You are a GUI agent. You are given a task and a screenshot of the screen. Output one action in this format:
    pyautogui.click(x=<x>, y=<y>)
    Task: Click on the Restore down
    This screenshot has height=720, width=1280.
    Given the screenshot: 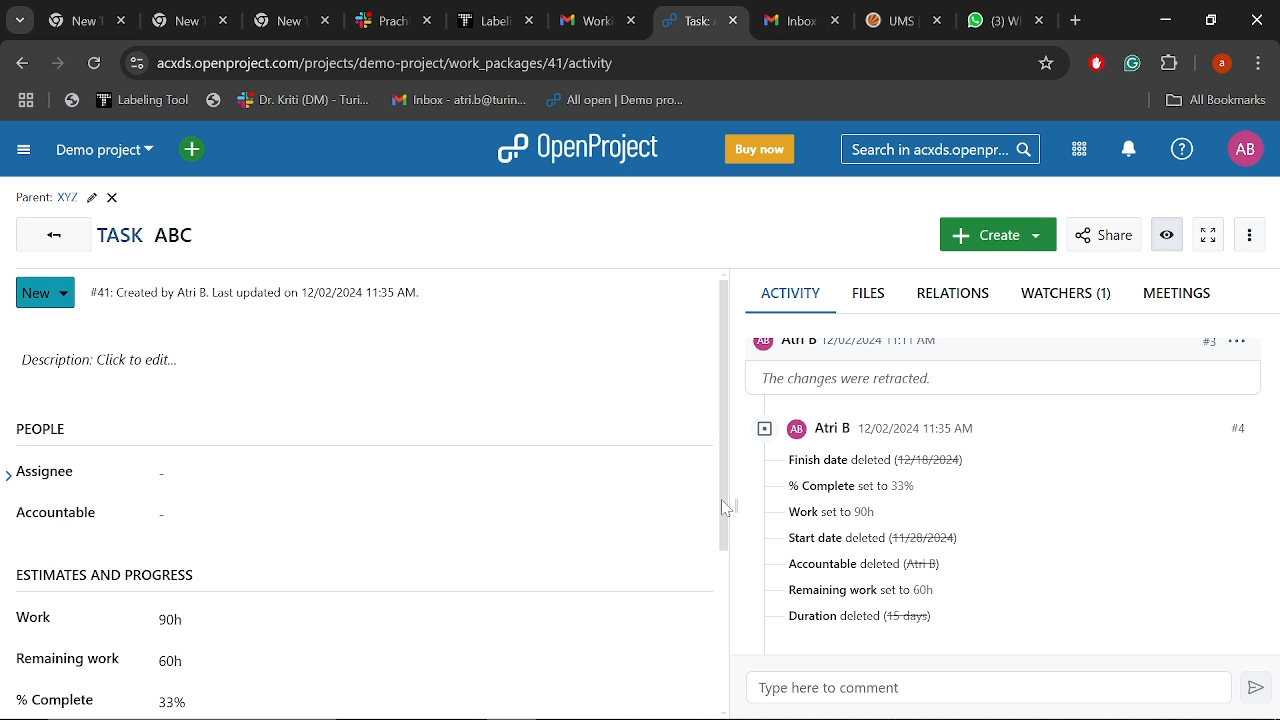 What is the action you would take?
    pyautogui.click(x=1212, y=20)
    